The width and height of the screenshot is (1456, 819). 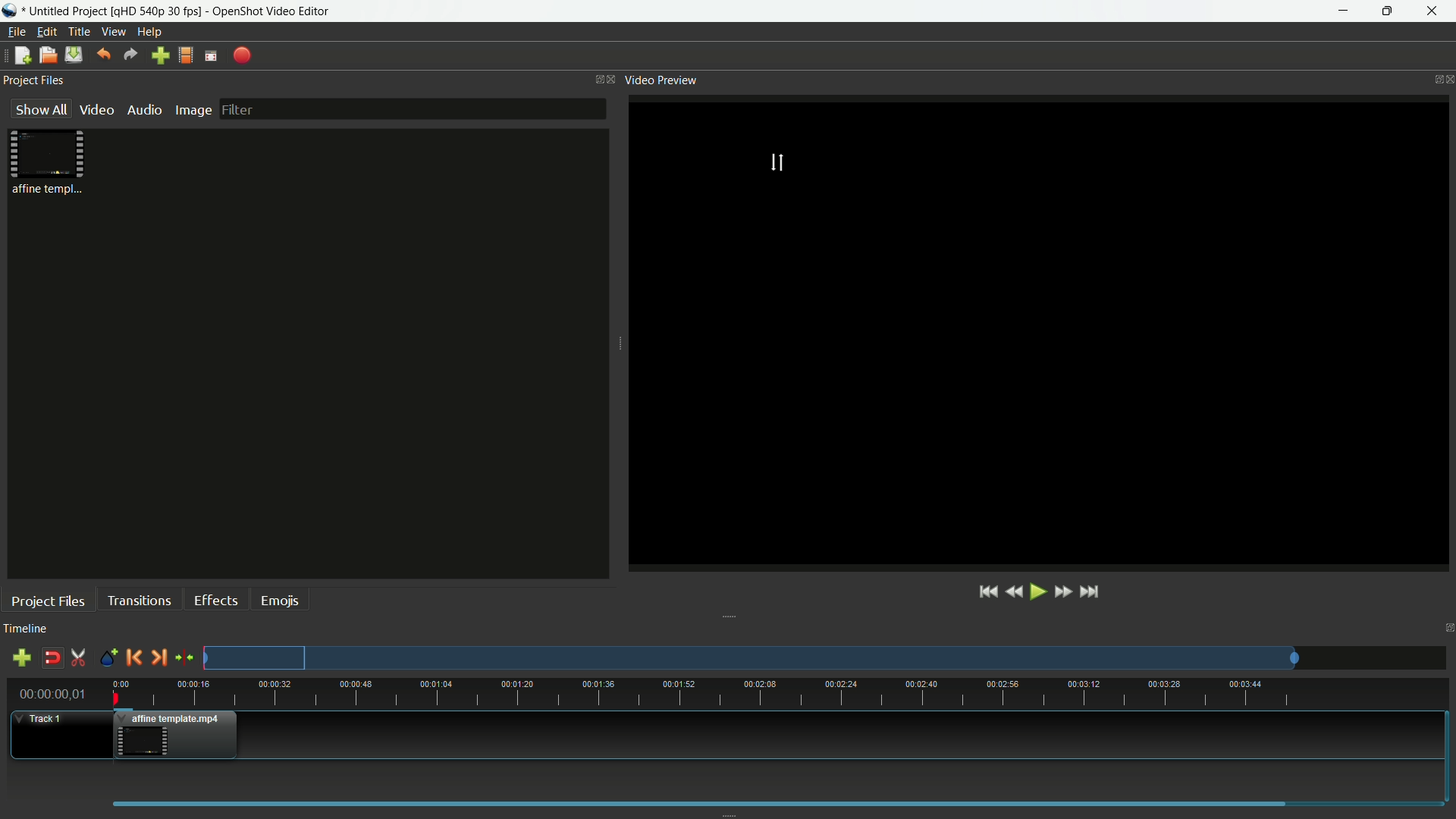 I want to click on jump to end, so click(x=1093, y=592).